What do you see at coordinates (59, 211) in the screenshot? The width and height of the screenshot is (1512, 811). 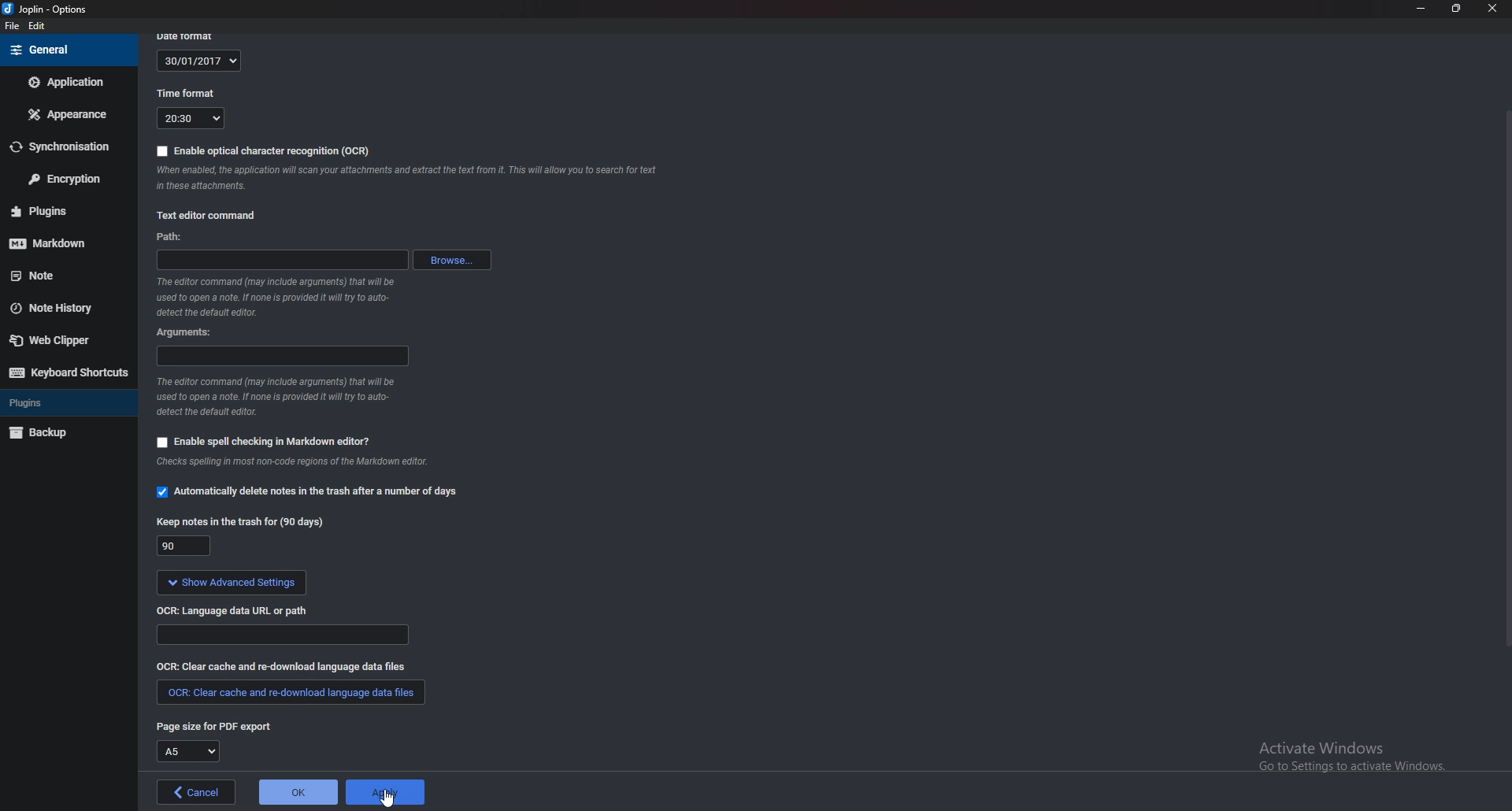 I see `Plugins` at bounding box center [59, 211].